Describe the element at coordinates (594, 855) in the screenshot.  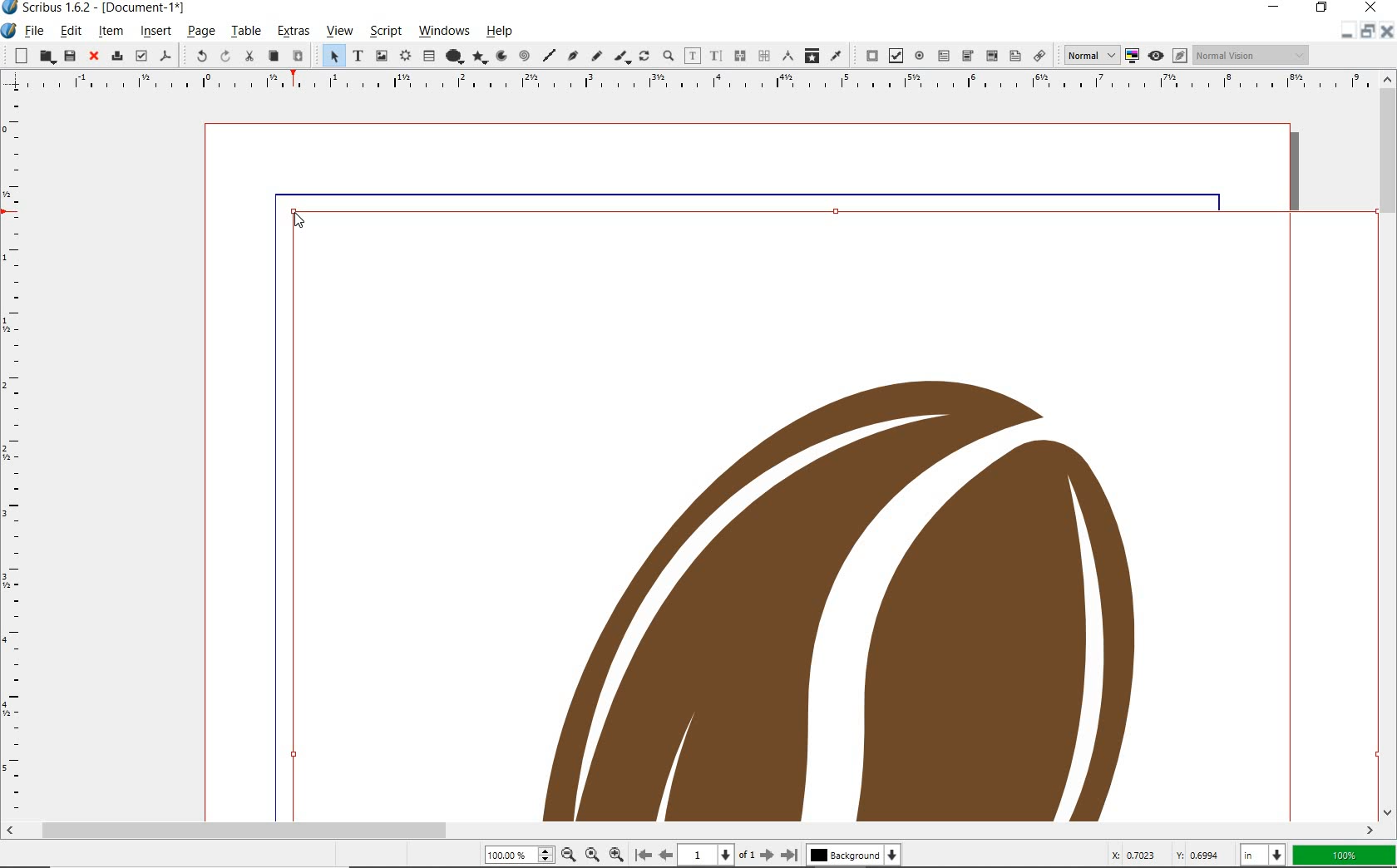
I see `Zoom to 100%` at that location.